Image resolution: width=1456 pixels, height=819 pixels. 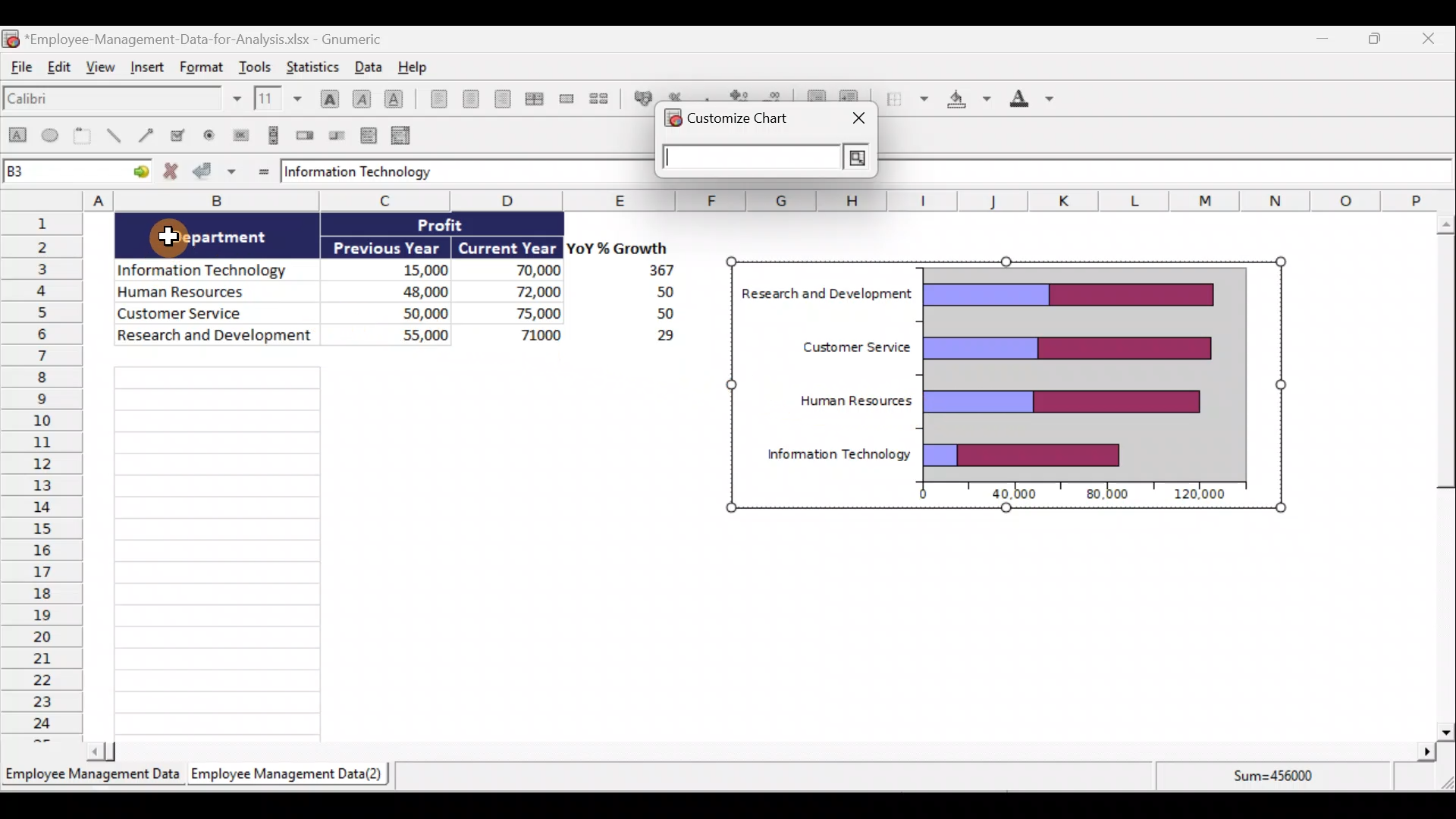 What do you see at coordinates (708, 96) in the screenshot?
I see `Set the format of the selected cells to include a thousands separator` at bounding box center [708, 96].